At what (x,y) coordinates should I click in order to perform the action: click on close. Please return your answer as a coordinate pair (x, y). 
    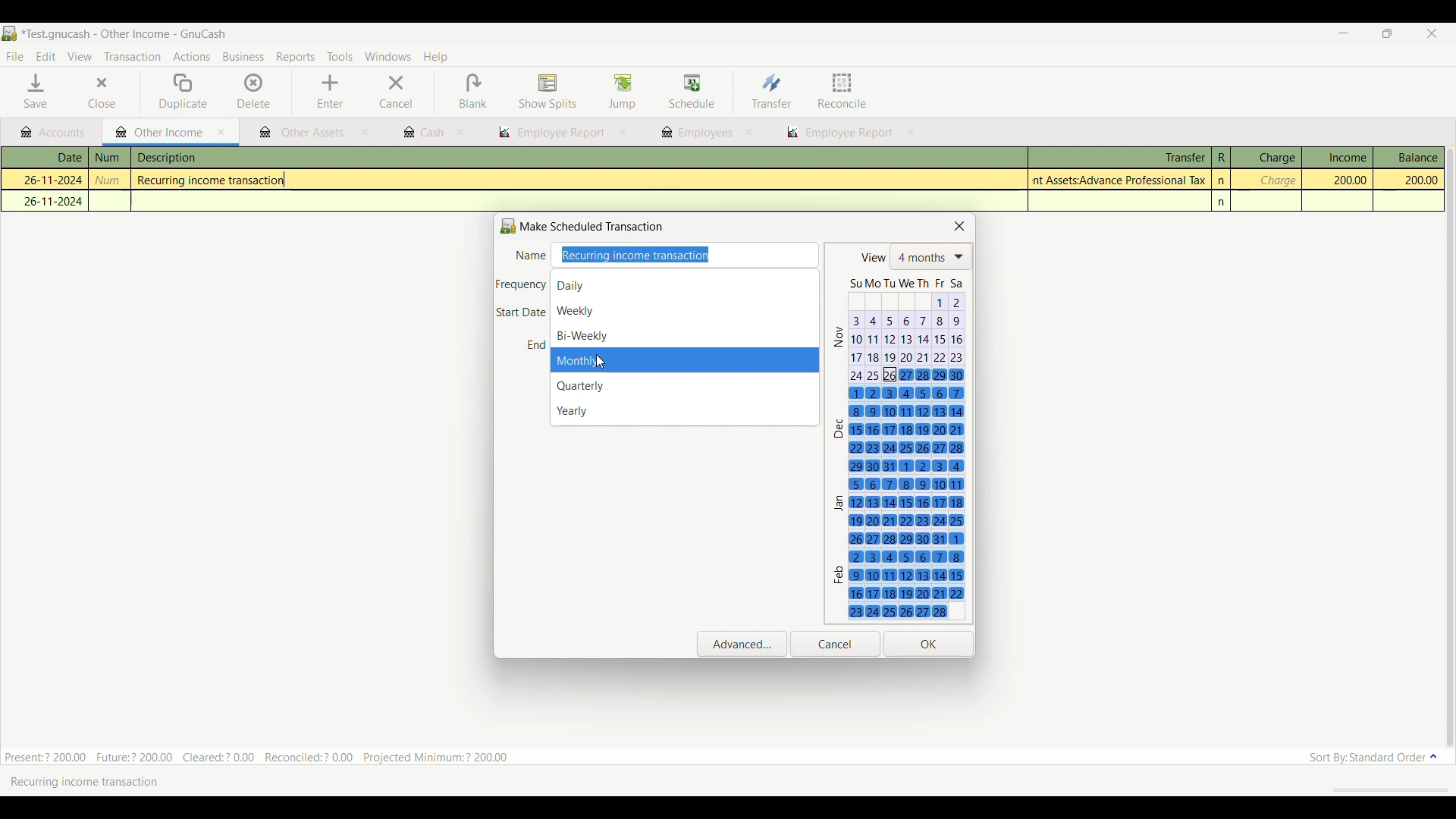
    Looking at the image, I should click on (462, 133).